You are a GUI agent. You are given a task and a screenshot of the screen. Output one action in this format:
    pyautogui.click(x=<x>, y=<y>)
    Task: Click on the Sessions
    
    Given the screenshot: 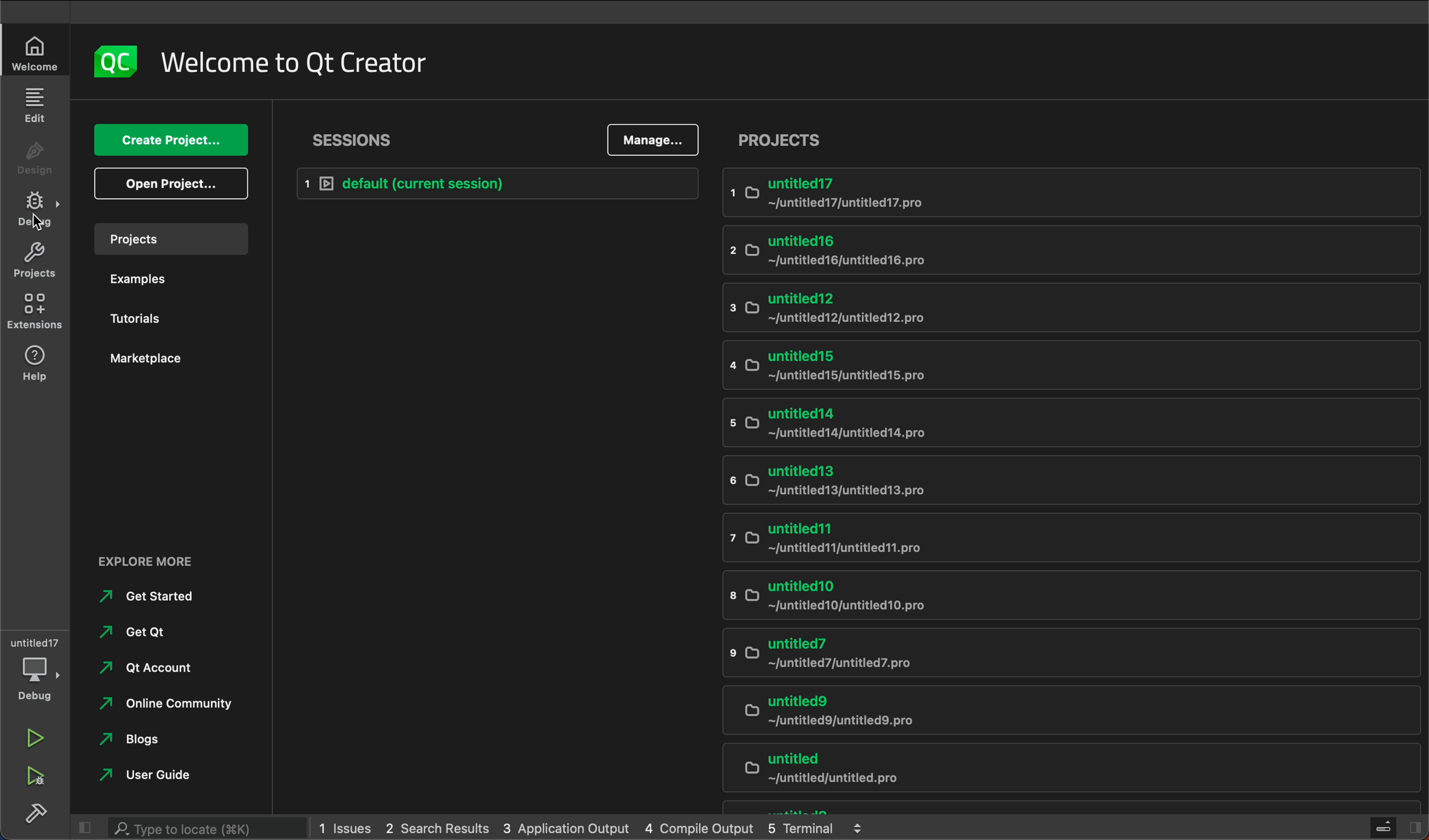 What is the action you would take?
    pyautogui.click(x=351, y=140)
    